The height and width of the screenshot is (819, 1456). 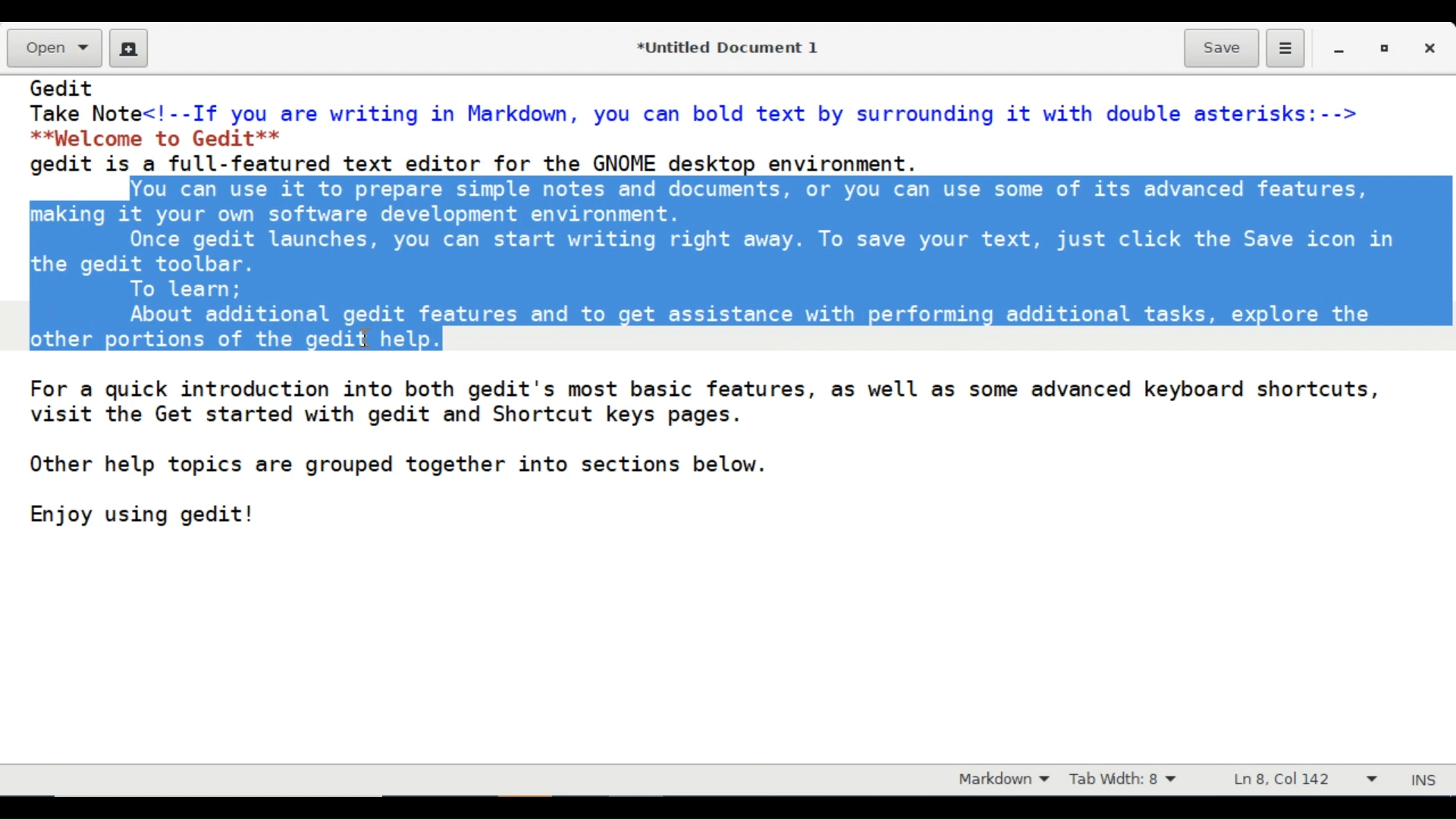 What do you see at coordinates (727, 420) in the screenshot?
I see `Gedit Take Note<!--If you are writing in Markdown, you can bold text by surrounding it with double asterisks:--> **Welcome to Gedit** gedit is a full-featured text editor for the GNOME desktop environment. You can use it to prepare simple notes and documents, or you can use some of its advanced features, making it your own software development environment` at bounding box center [727, 420].